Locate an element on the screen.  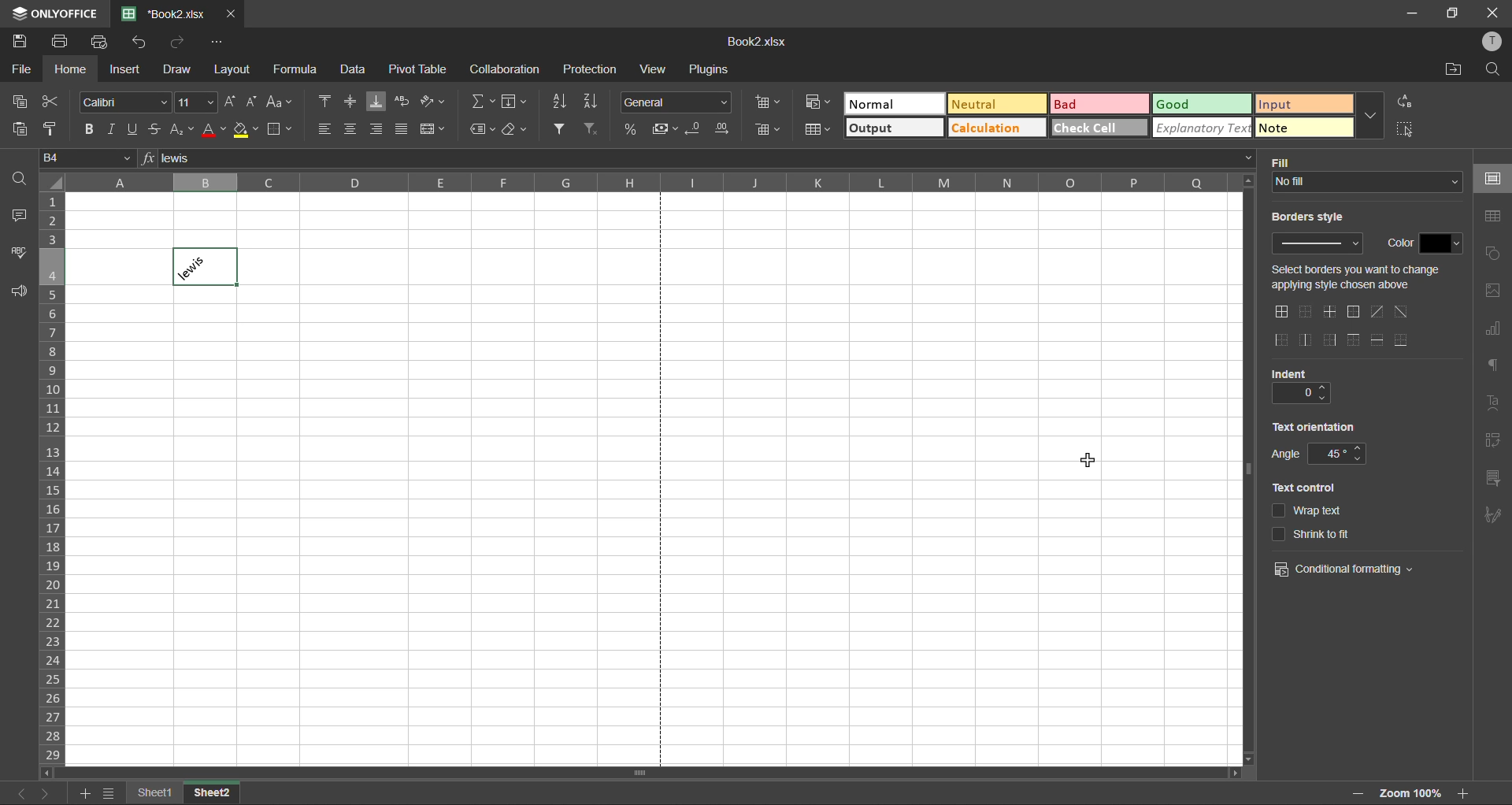
input fill is located at coordinates (1365, 182).